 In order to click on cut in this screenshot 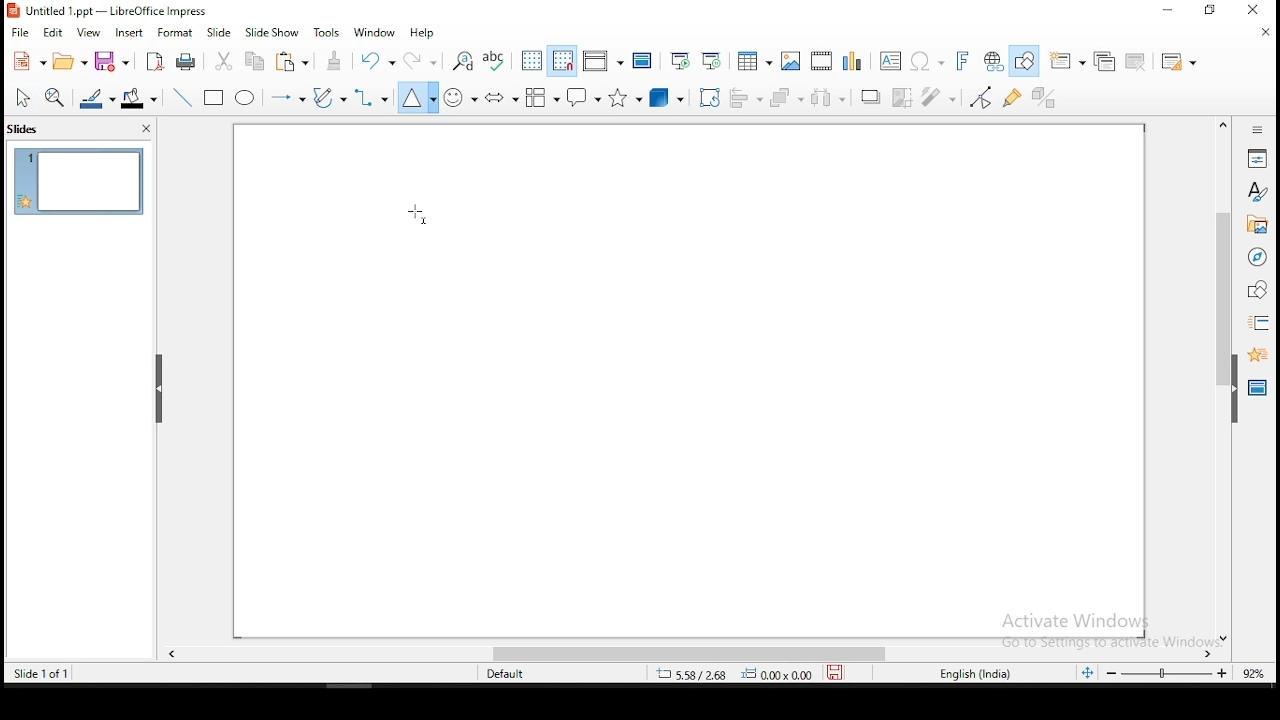, I will do `click(225, 62)`.